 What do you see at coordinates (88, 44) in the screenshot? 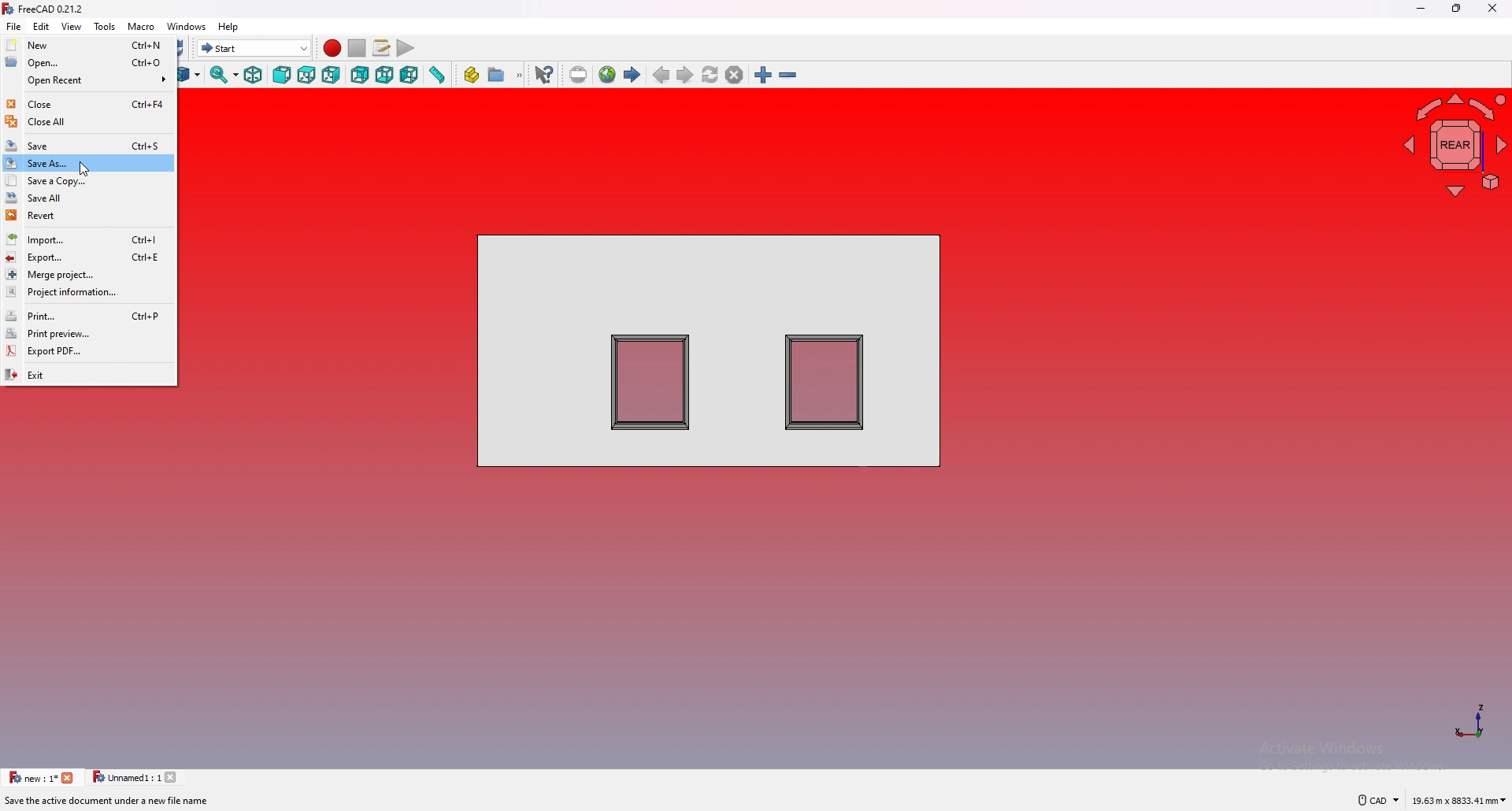
I see `new` at bounding box center [88, 44].